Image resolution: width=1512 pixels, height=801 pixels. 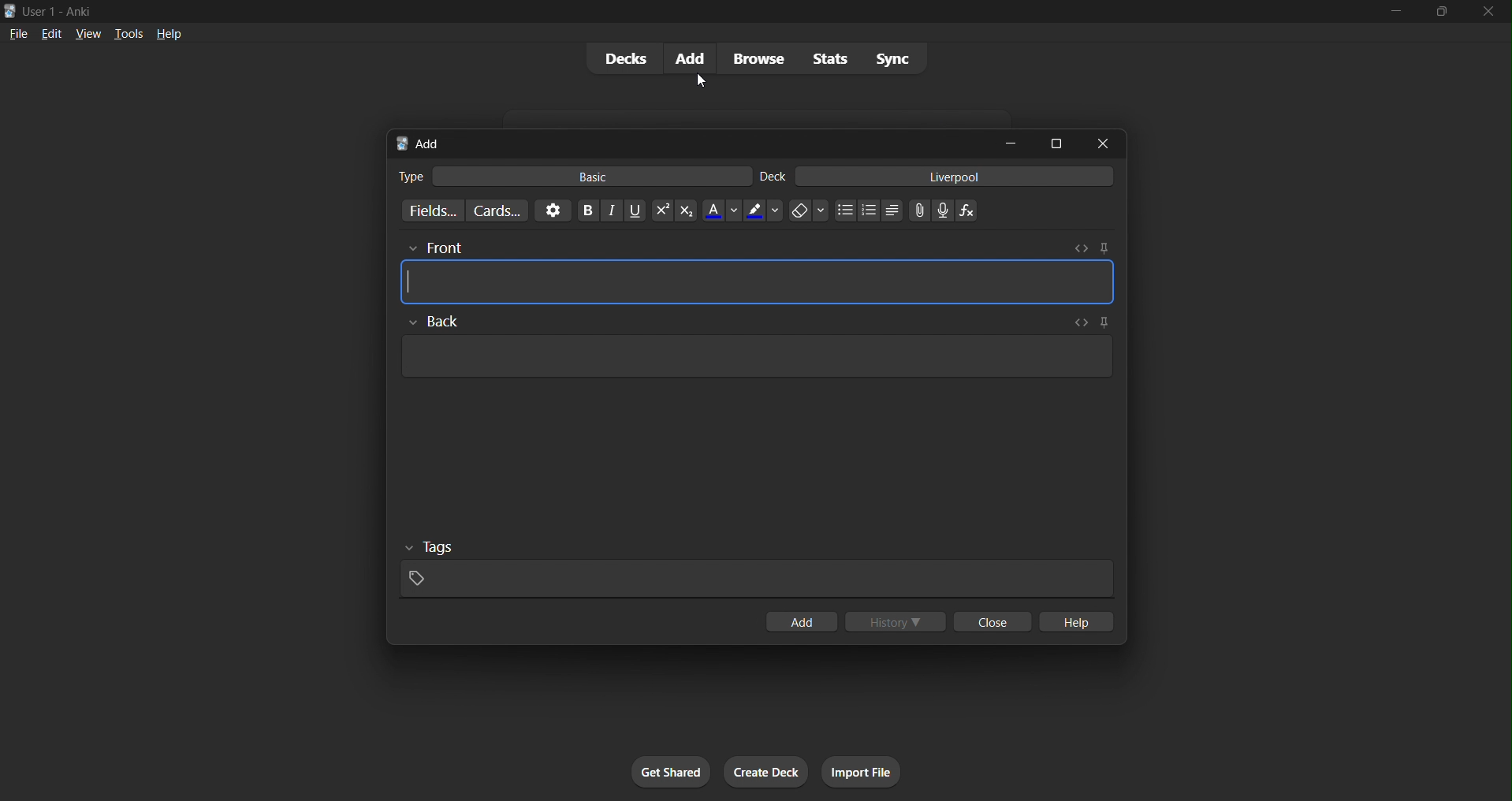 What do you see at coordinates (572, 174) in the screenshot?
I see `basic card type input field` at bounding box center [572, 174].